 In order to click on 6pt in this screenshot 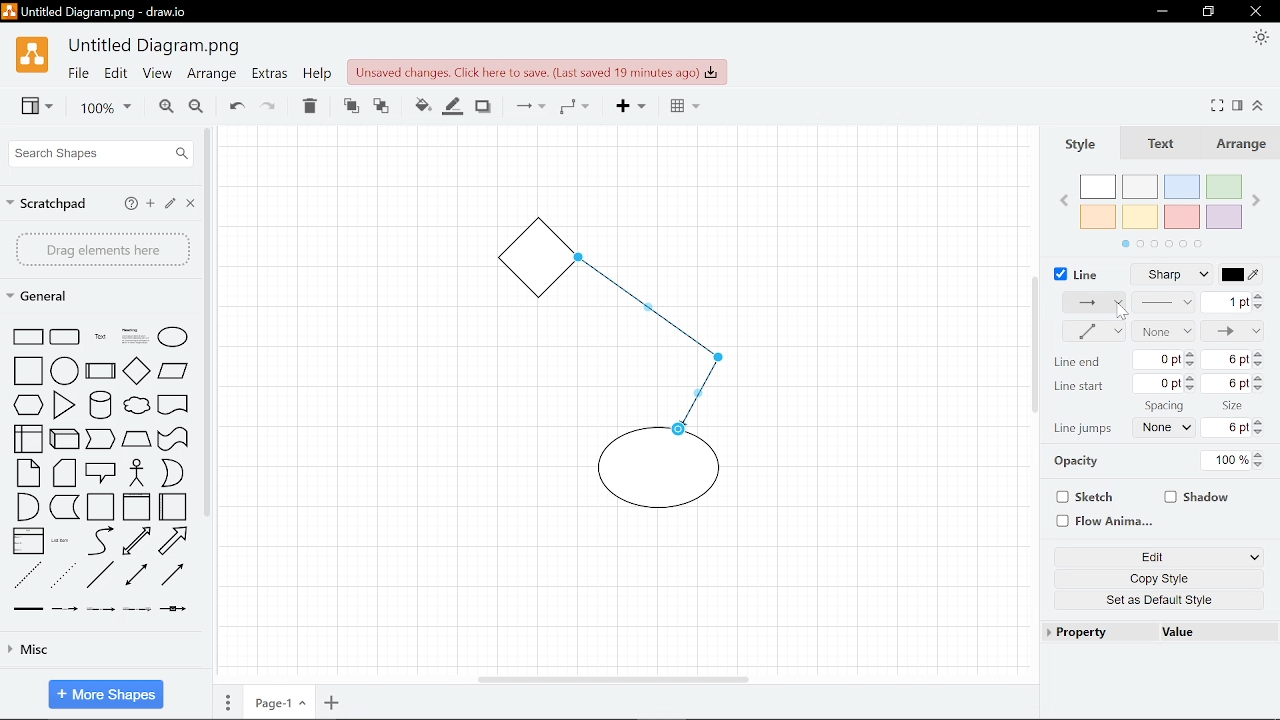, I will do `click(1230, 428)`.